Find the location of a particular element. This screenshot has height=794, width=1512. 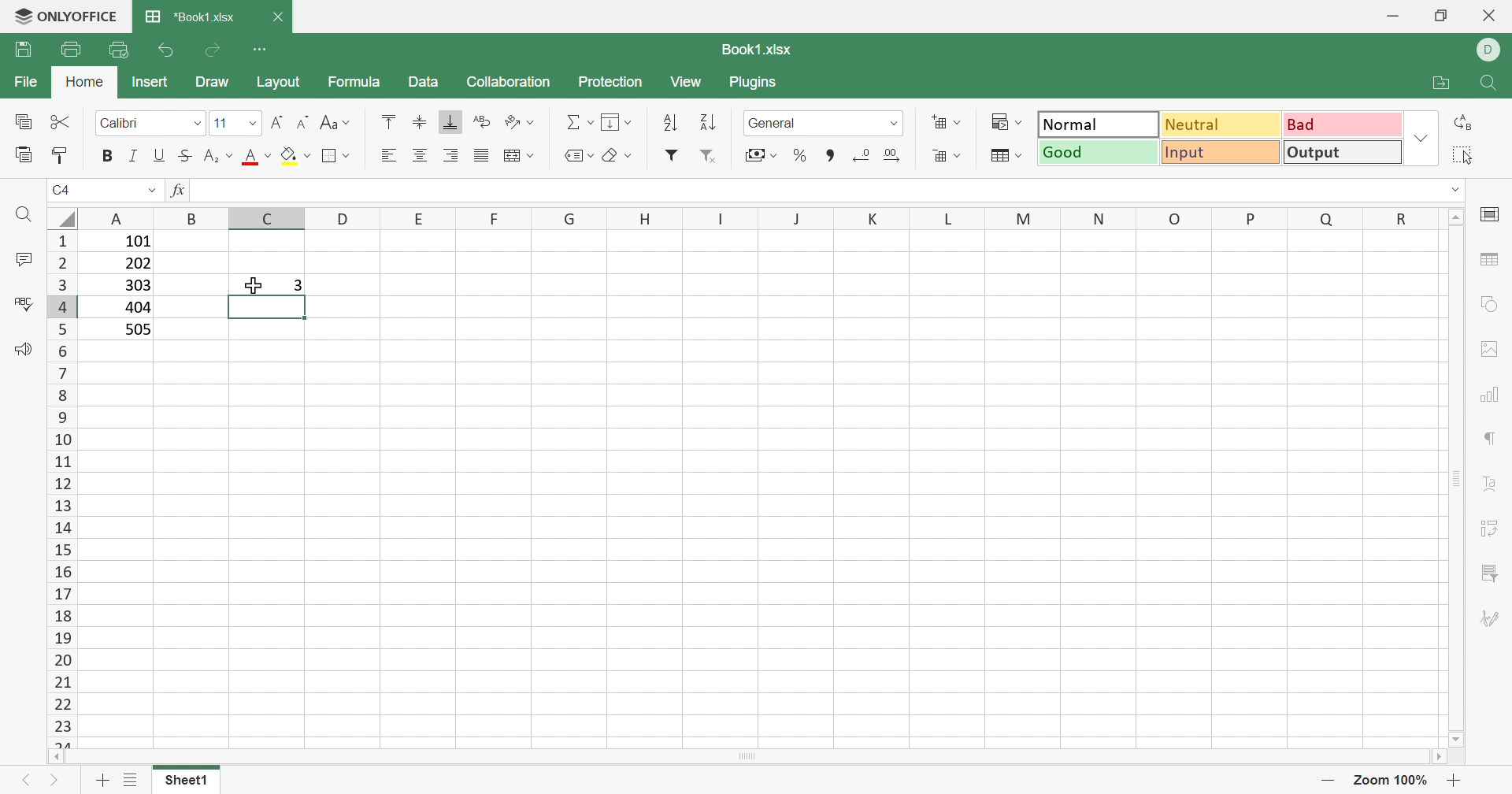

Book1.xlsx is located at coordinates (754, 51).